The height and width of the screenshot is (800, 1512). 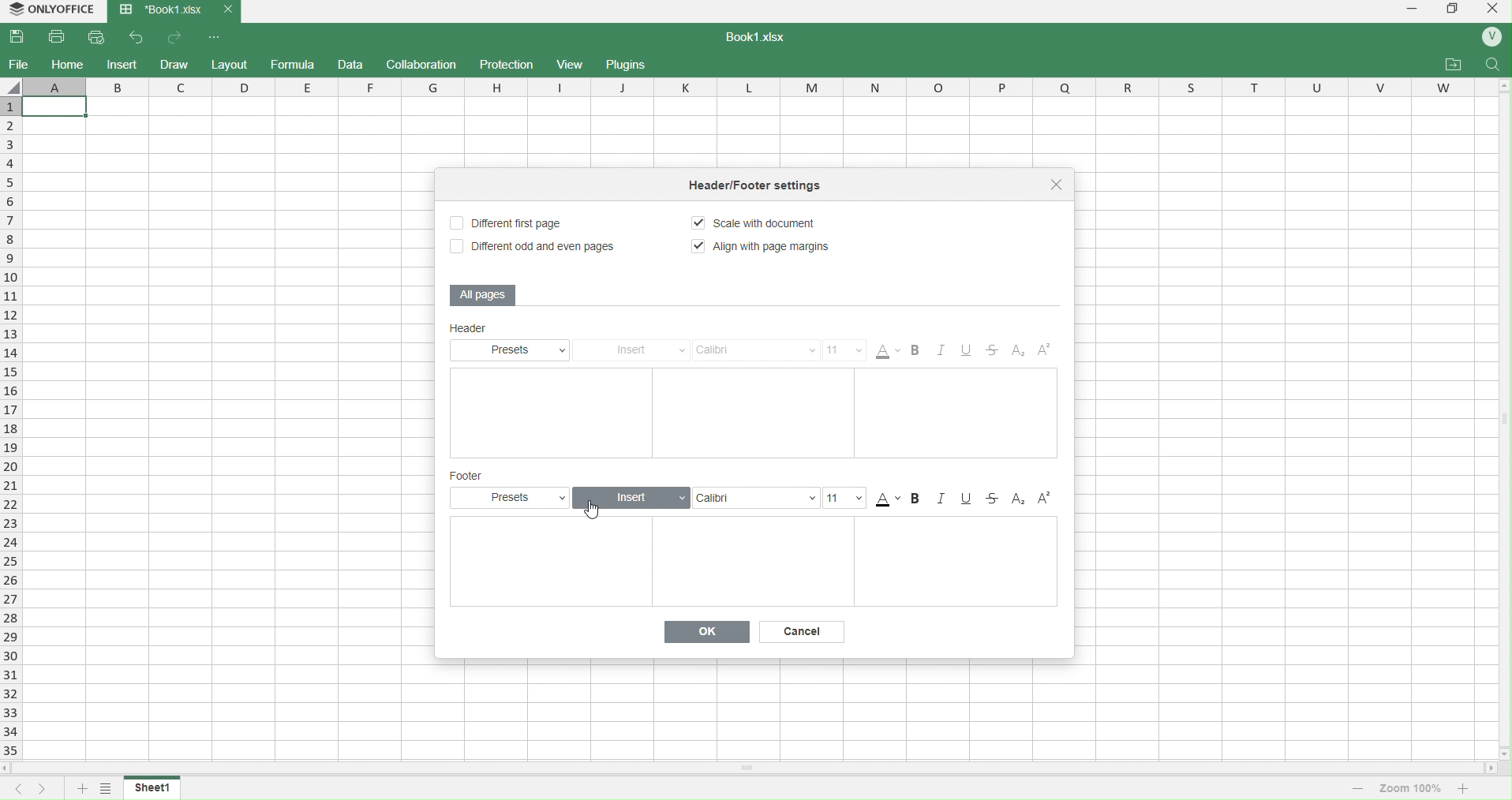 I want to click on Insert, so click(x=637, y=350).